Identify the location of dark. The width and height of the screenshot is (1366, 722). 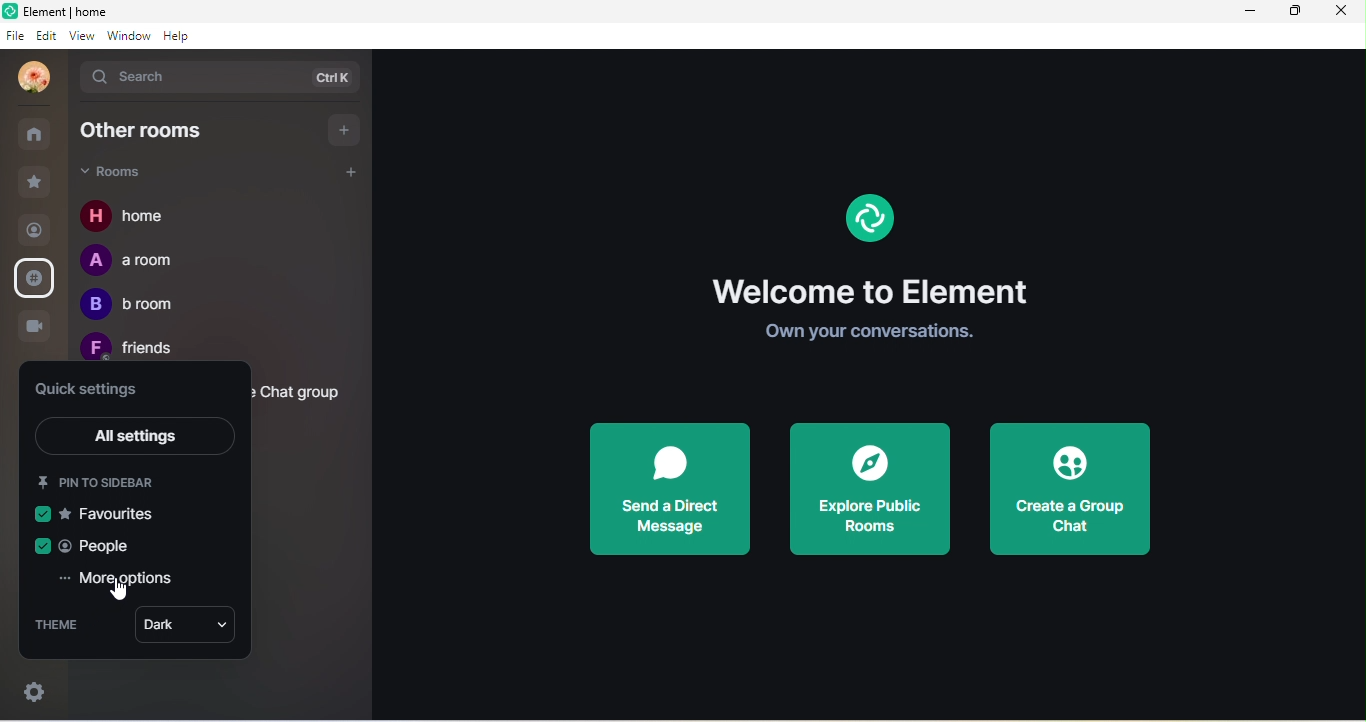
(187, 629).